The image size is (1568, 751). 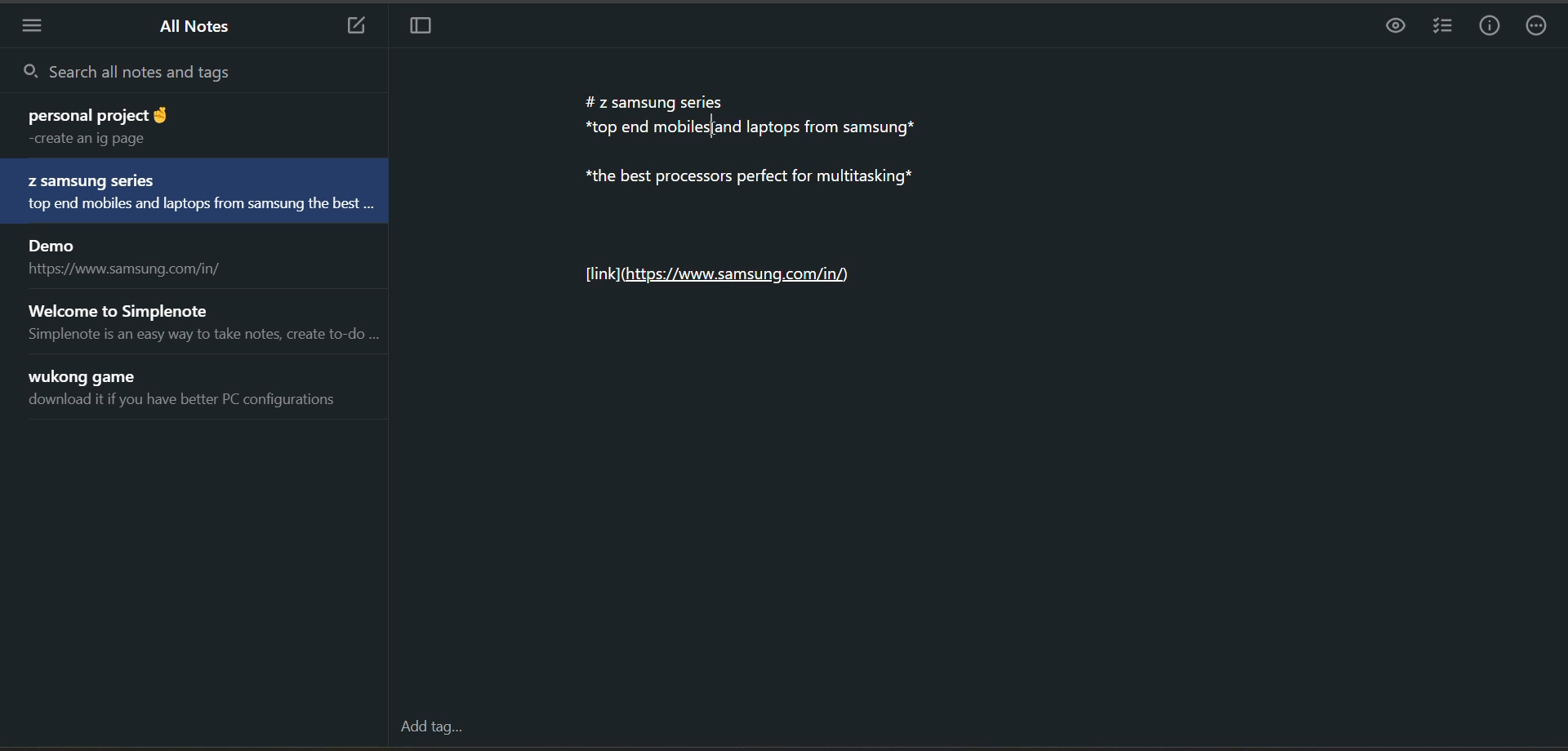 What do you see at coordinates (199, 193) in the screenshot?
I see `note title and preview` at bounding box center [199, 193].